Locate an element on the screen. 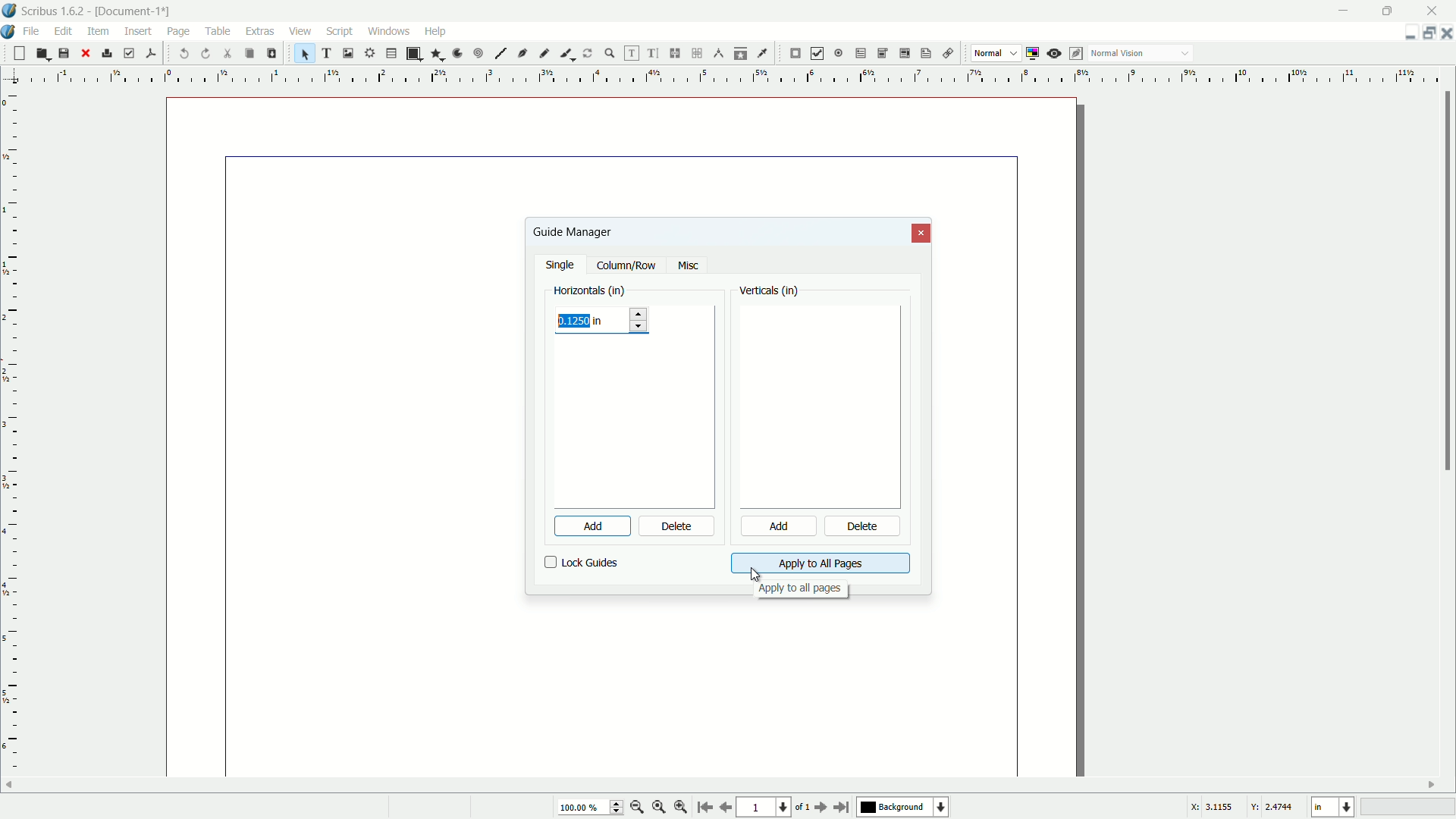 This screenshot has width=1456, height=819. cursor is located at coordinates (178, 42).